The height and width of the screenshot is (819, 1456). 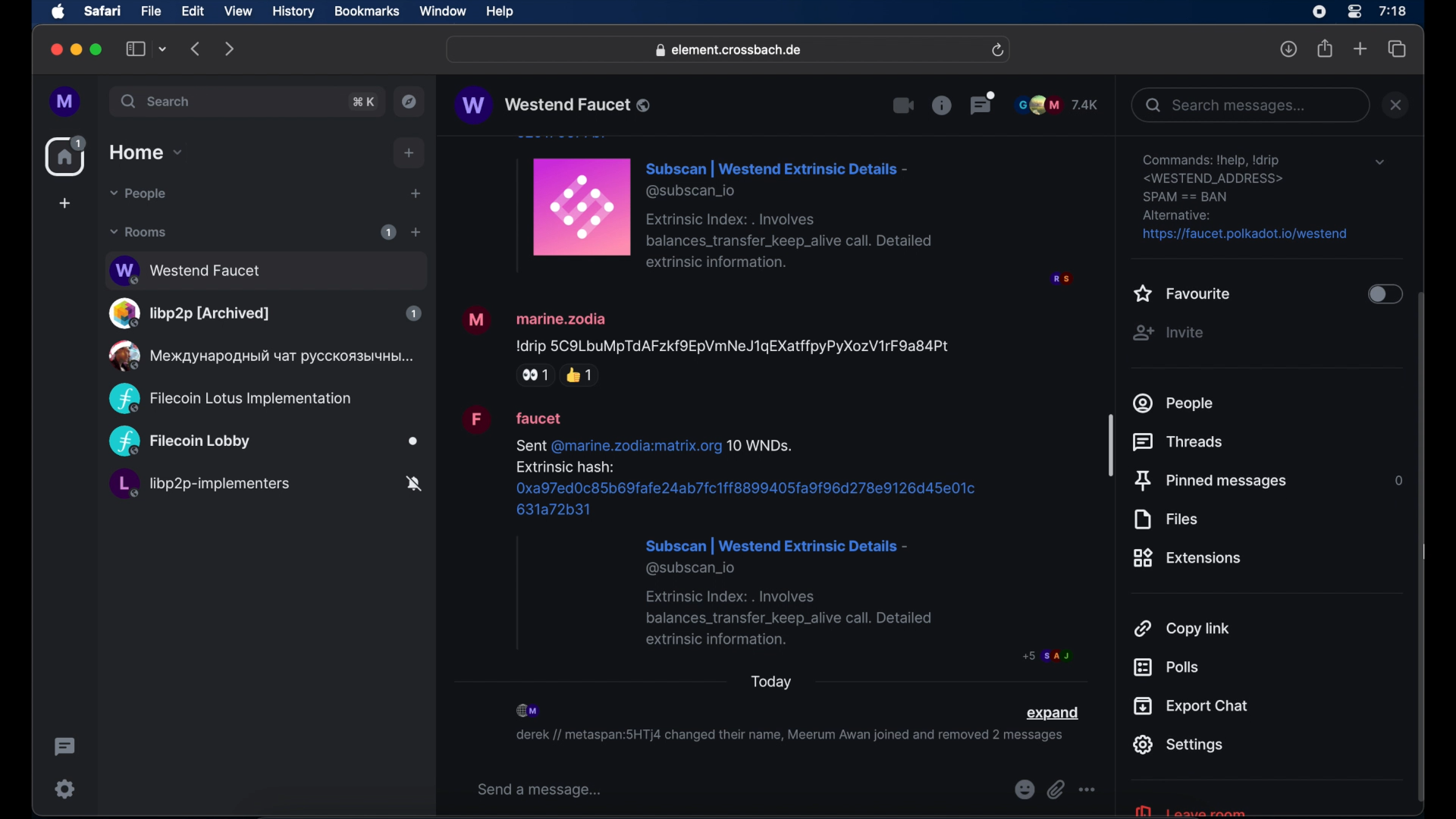 I want to click on attachments, so click(x=1056, y=790).